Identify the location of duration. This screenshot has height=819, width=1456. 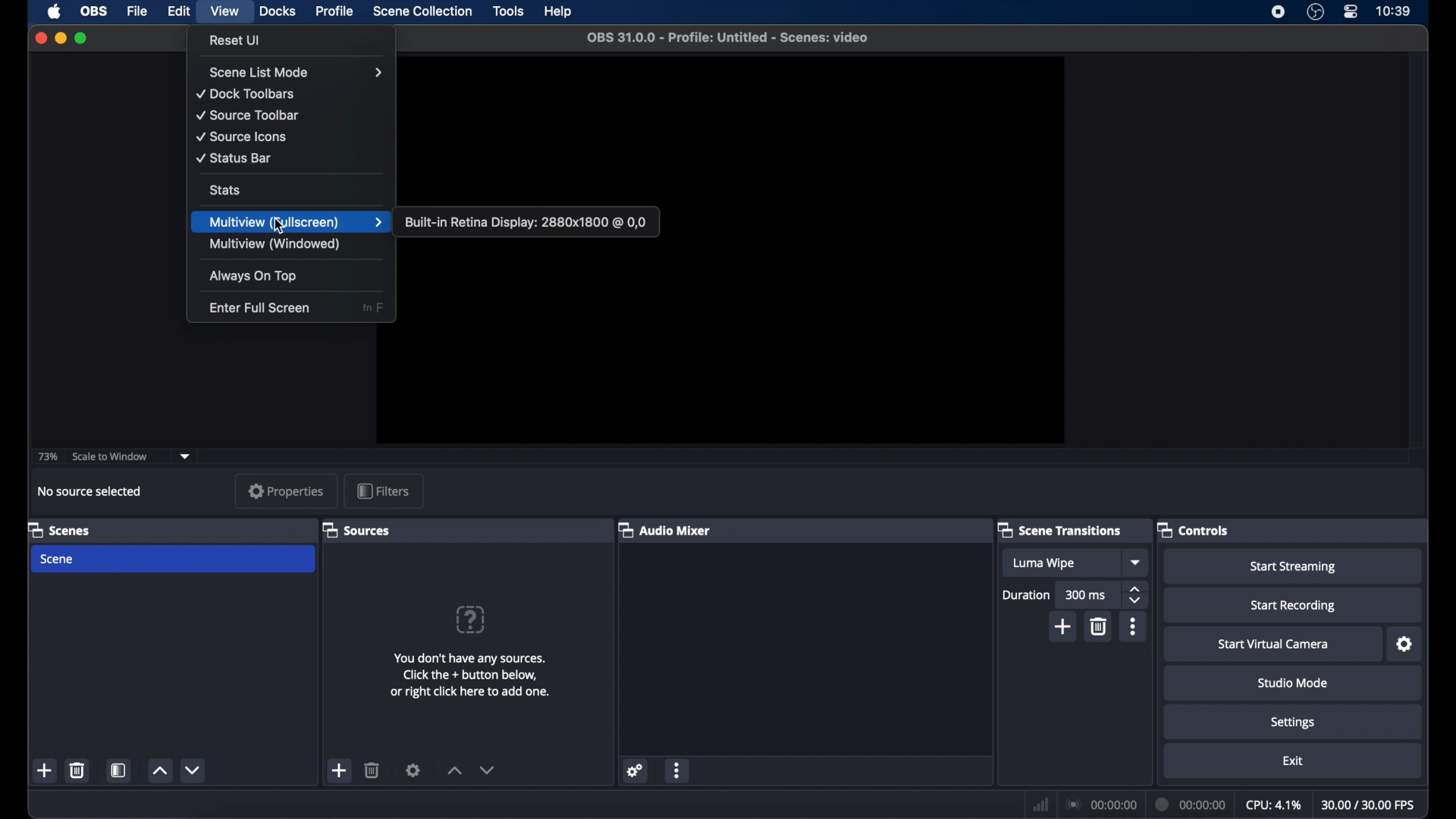
(1025, 595).